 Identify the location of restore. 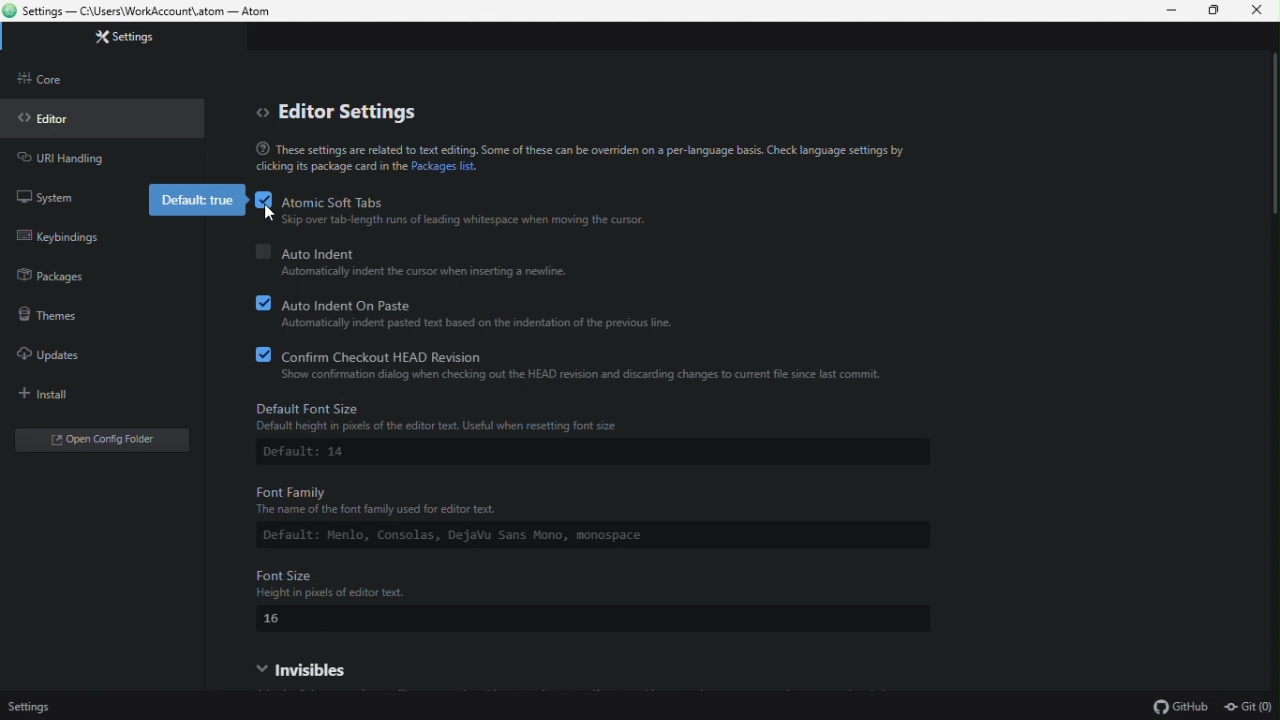
(1215, 12).